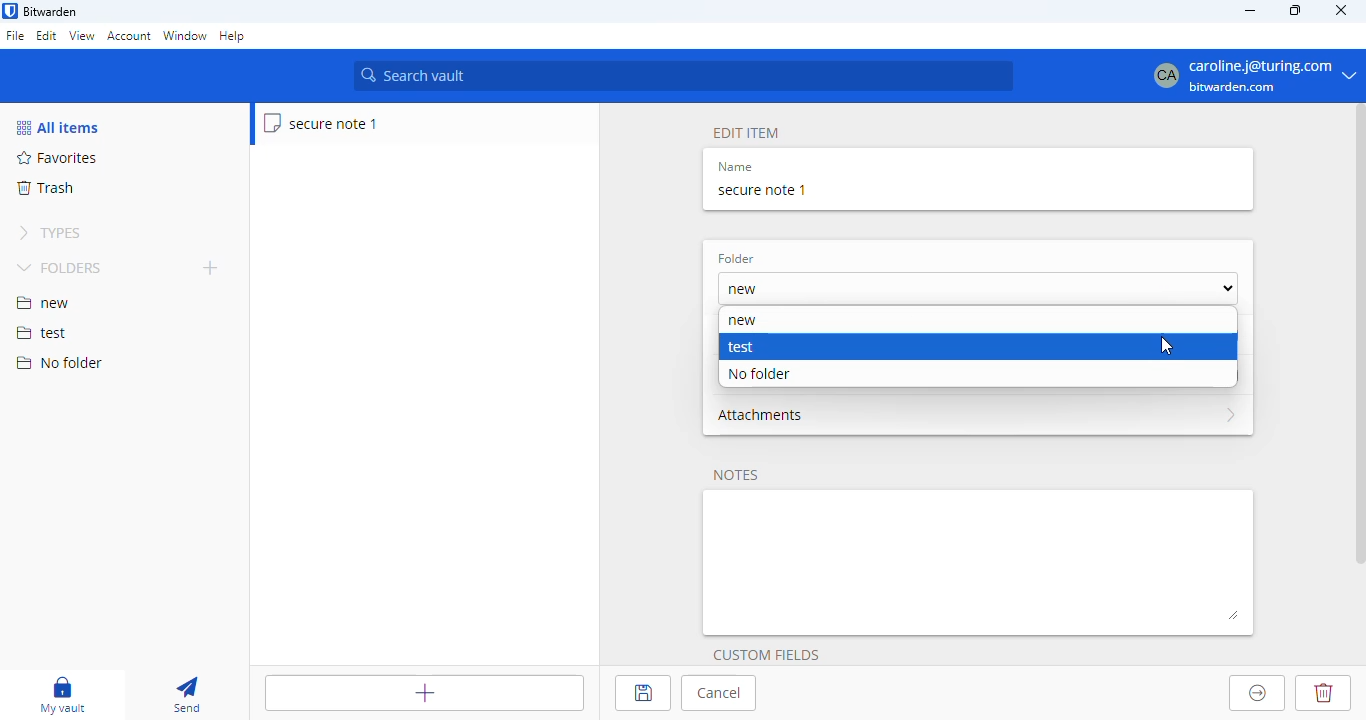 Image resolution: width=1366 pixels, height=720 pixels. Describe the element at coordinates (15, 37) in the screenshot. I see `file` at that location.